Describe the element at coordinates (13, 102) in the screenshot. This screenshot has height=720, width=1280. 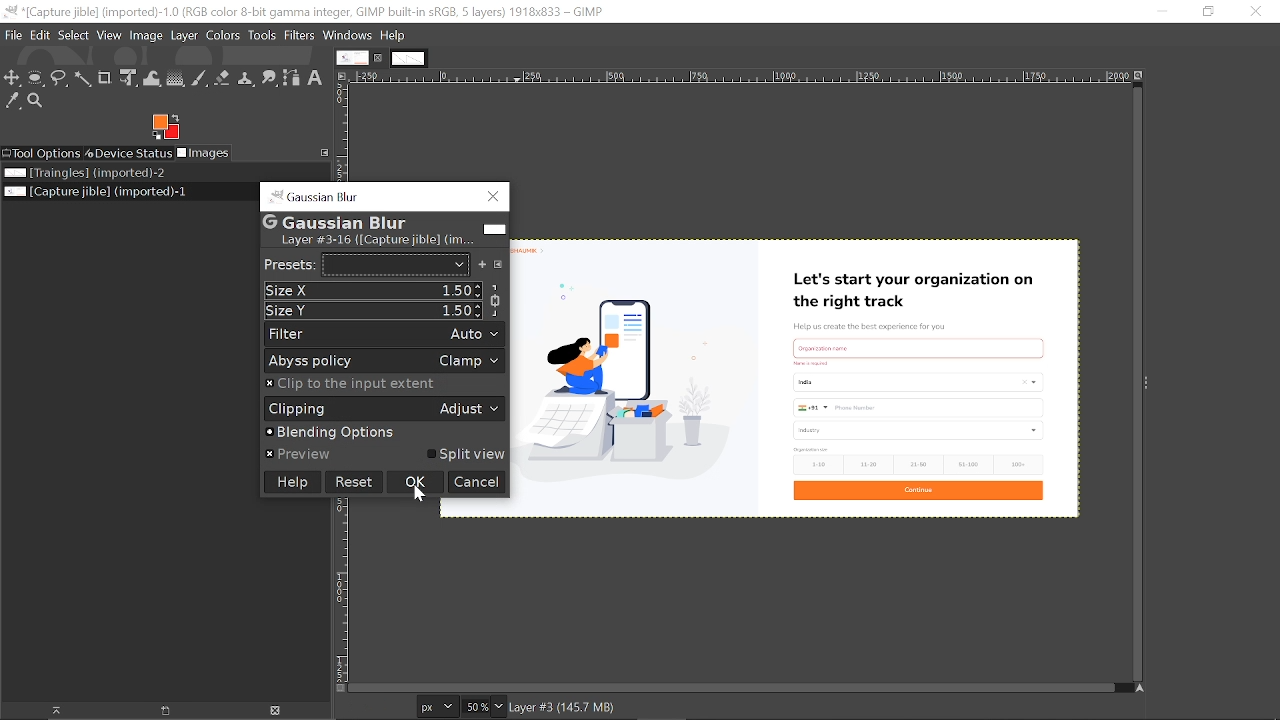
I see `Color picker tool` at that location.